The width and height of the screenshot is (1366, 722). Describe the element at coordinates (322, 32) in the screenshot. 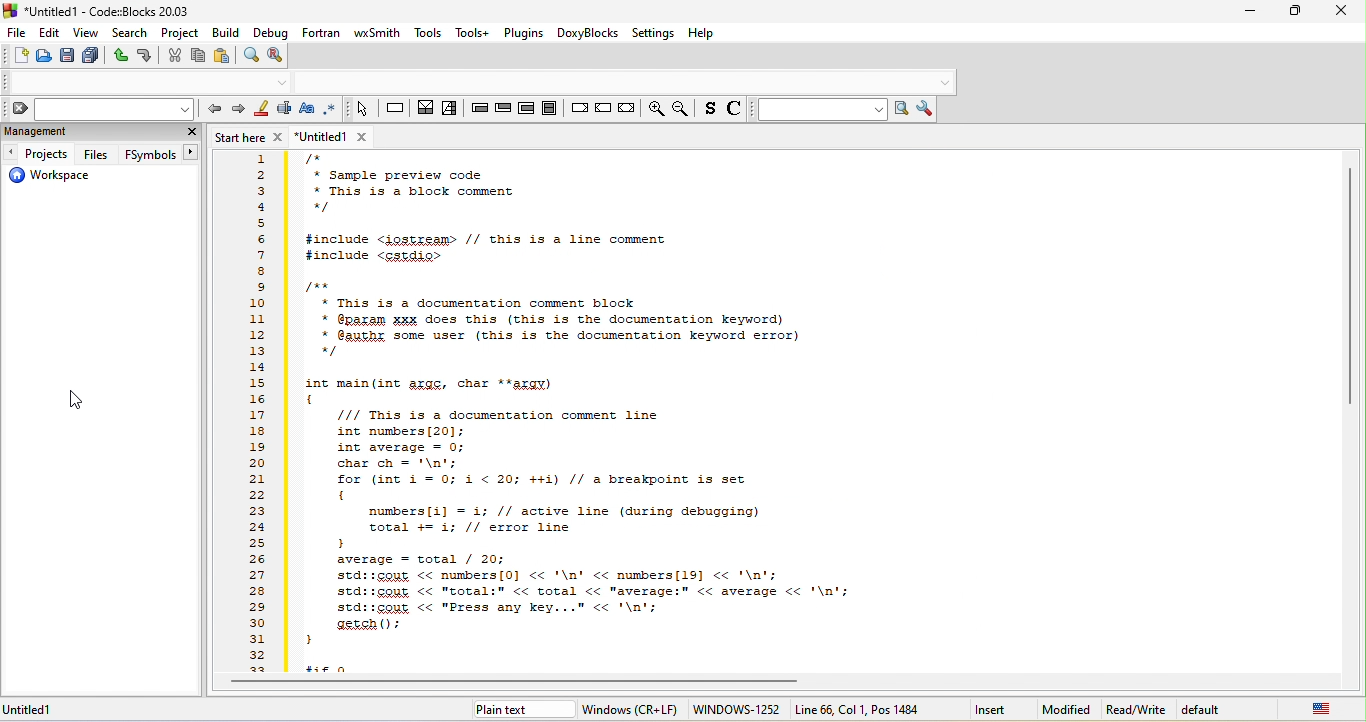

I see `fortran` at that location.